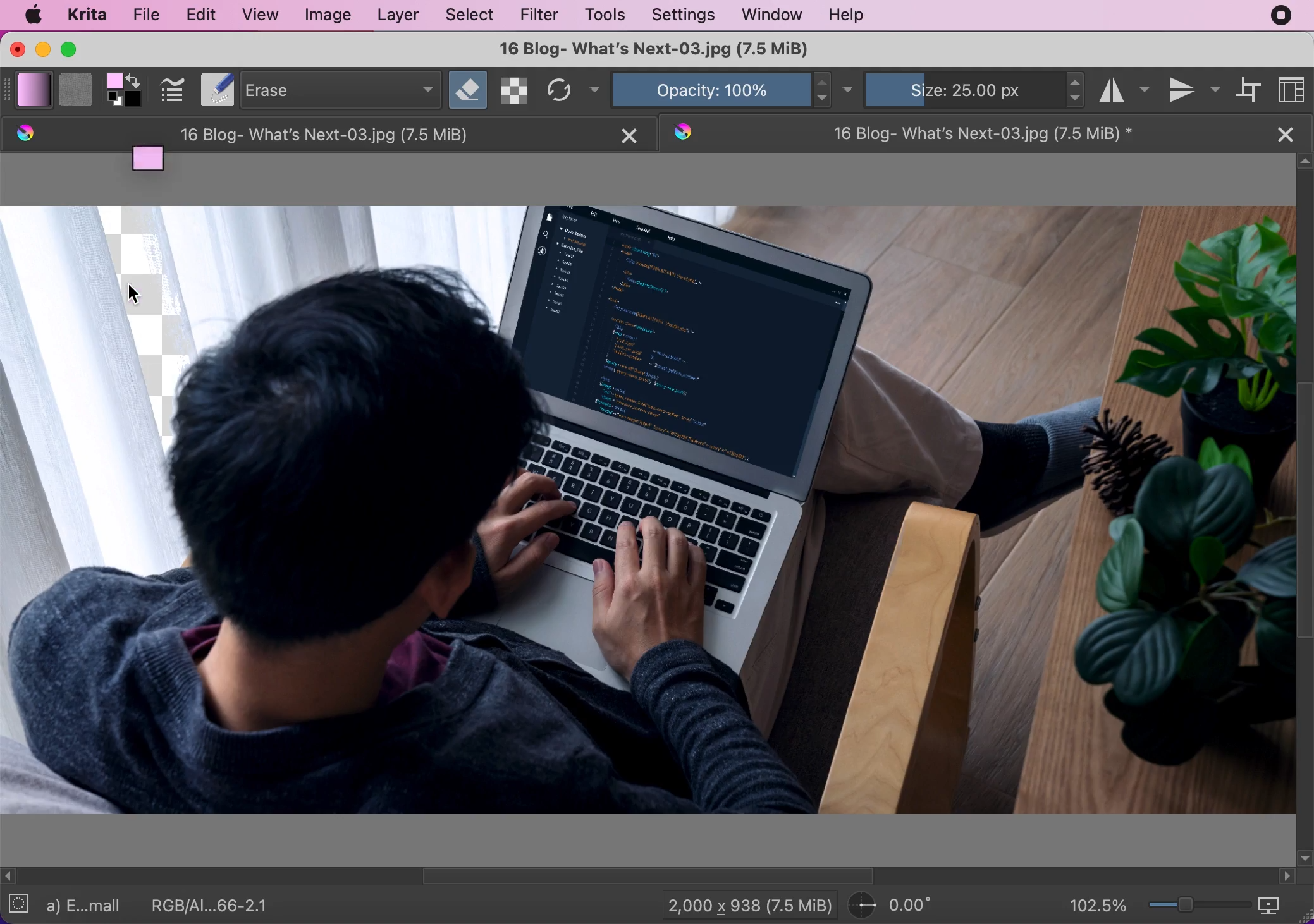  I want to click on opacity: 100%, so click(707, 89).